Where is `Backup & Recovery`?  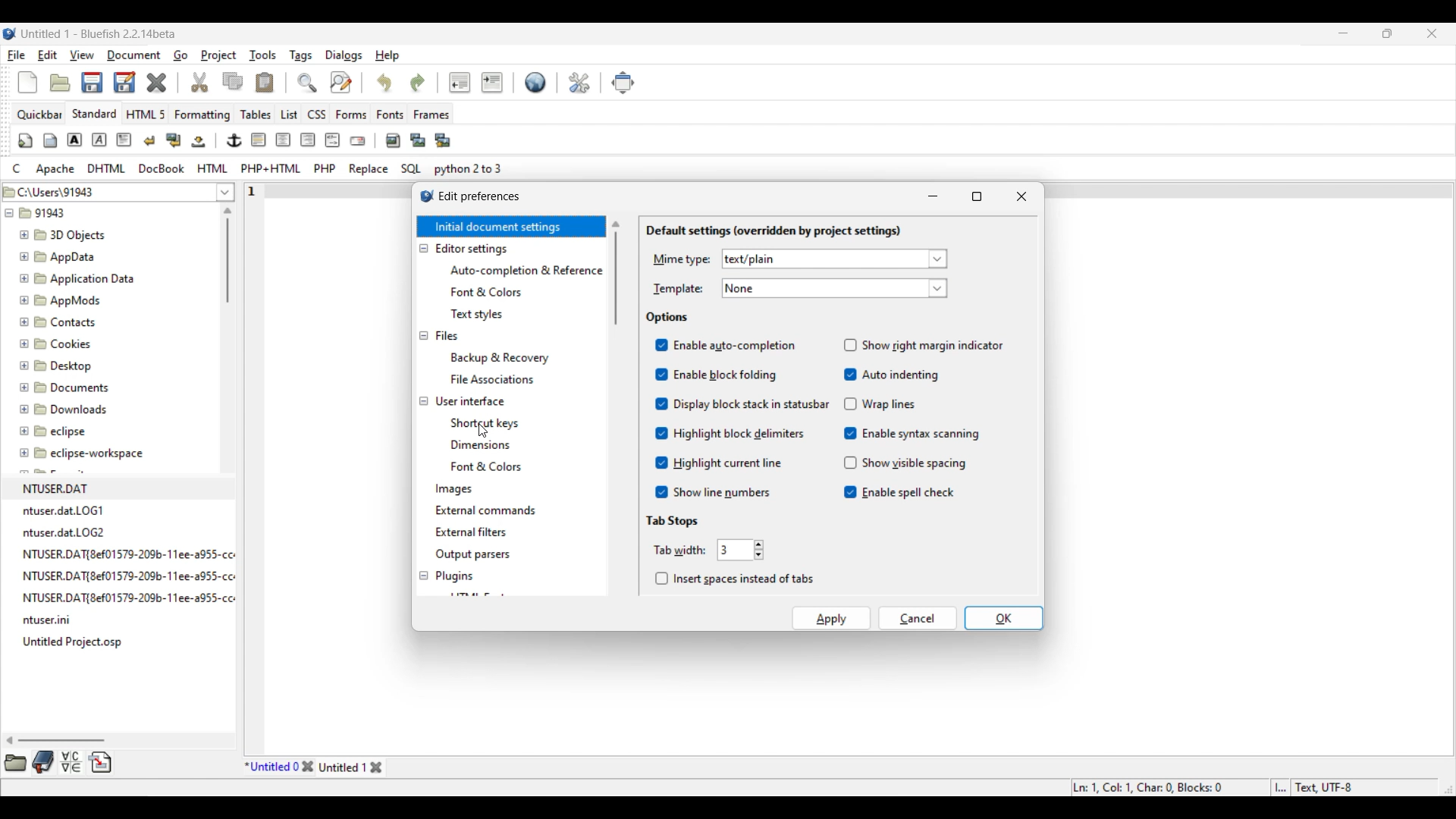
Backup & Recovery is located at coordinates (504, 357).